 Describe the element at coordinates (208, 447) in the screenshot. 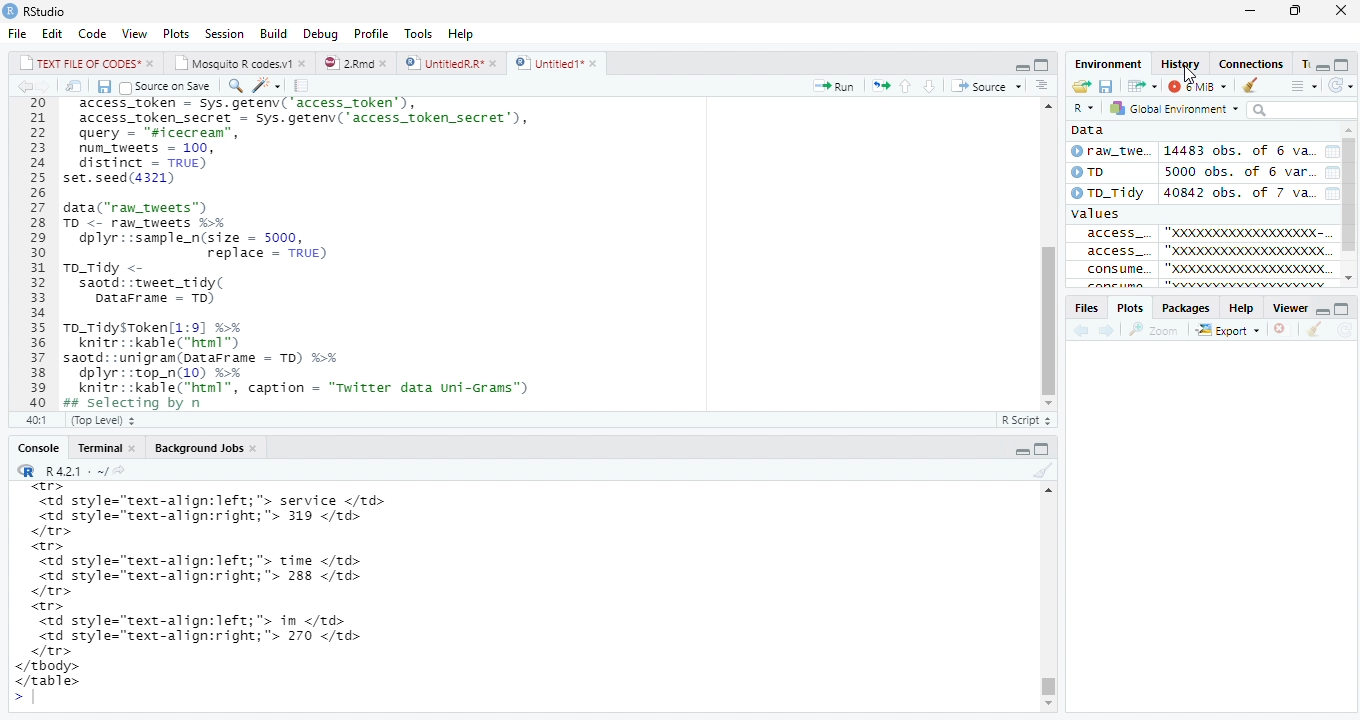

I see `Background Jobs` at that location.